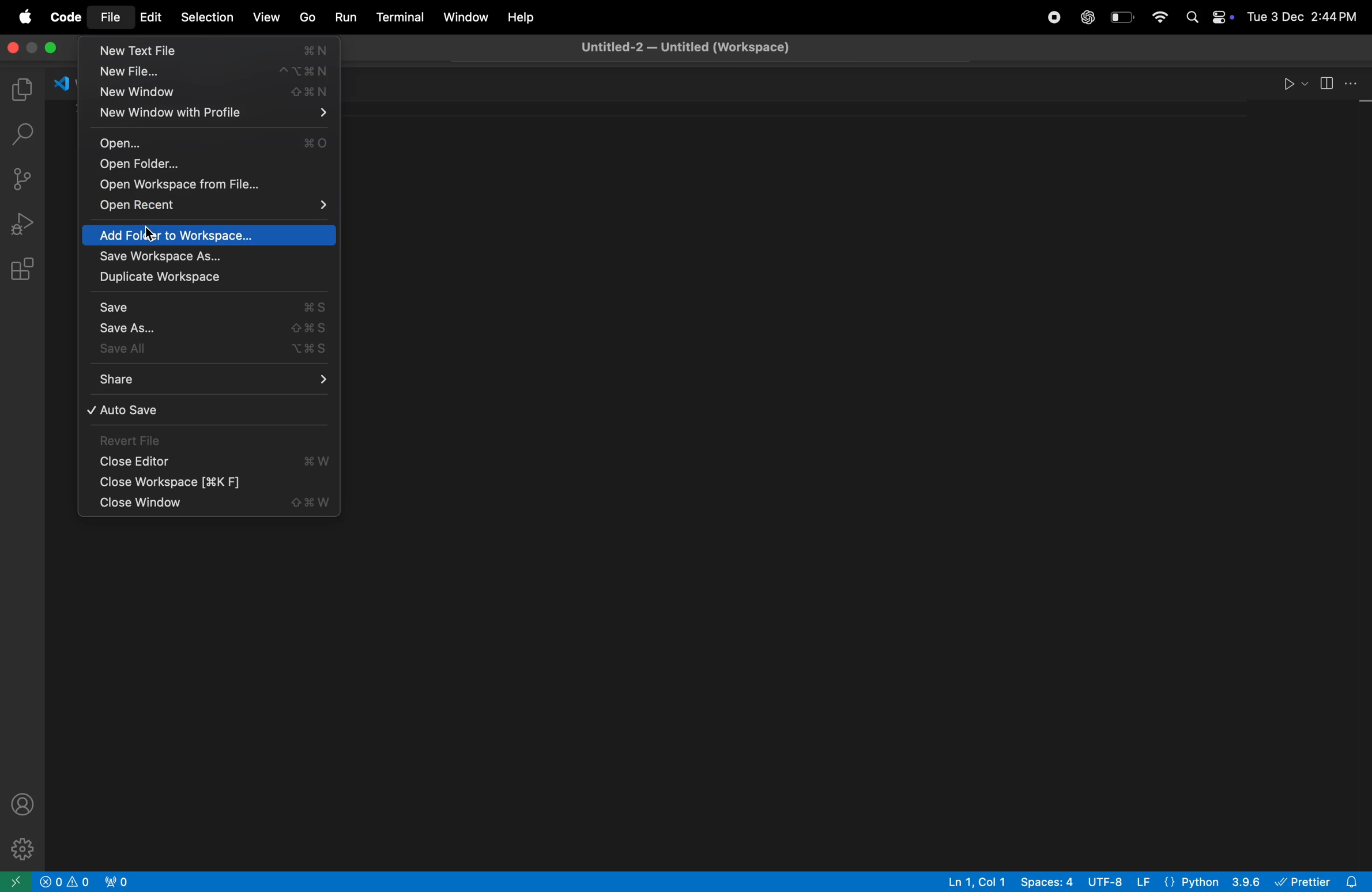  Describe the element at coordinates (121, 882) in the screenshot. I see `no active ports` at that location.